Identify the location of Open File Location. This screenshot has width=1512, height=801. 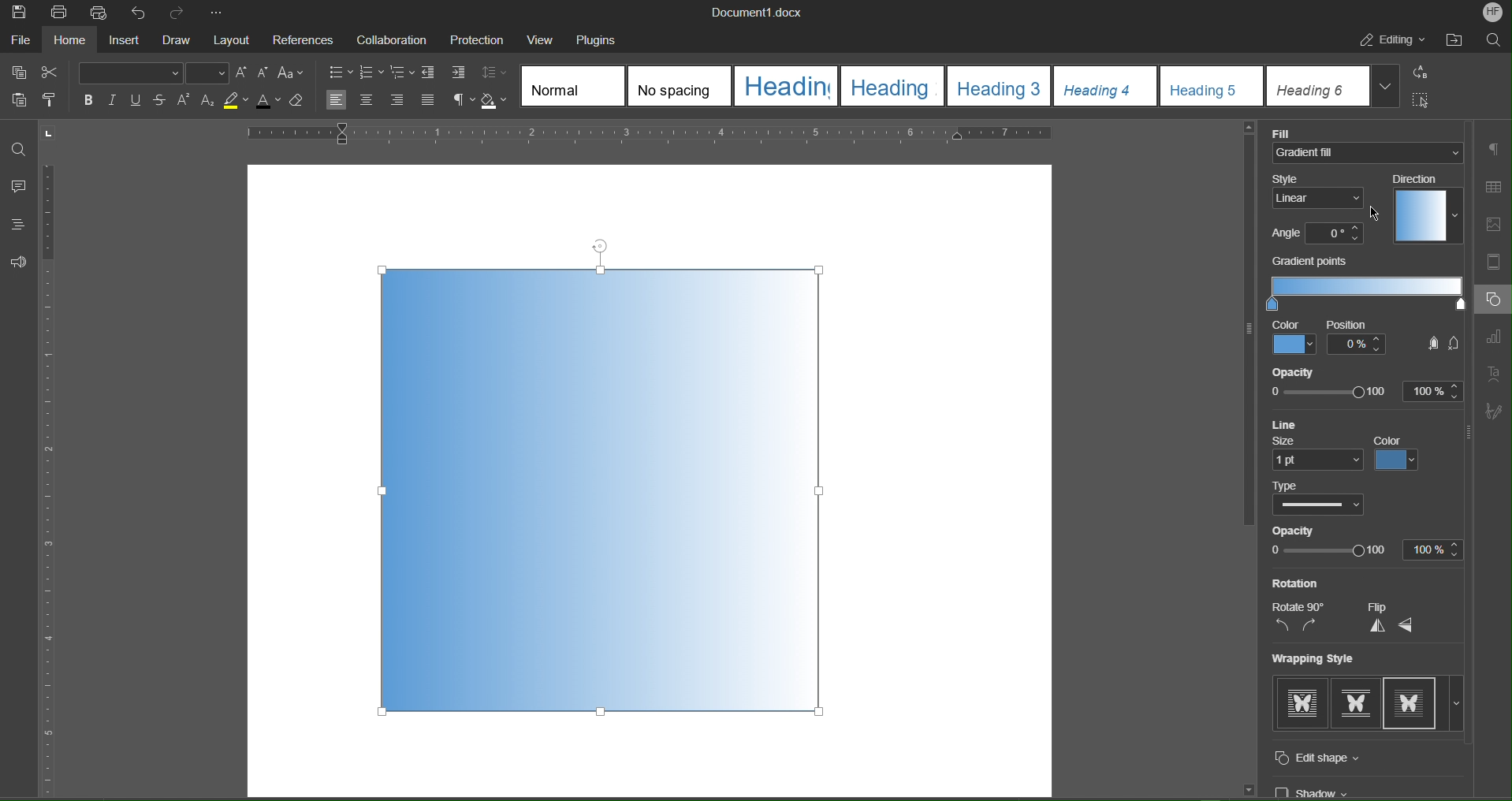
(1456, 42).